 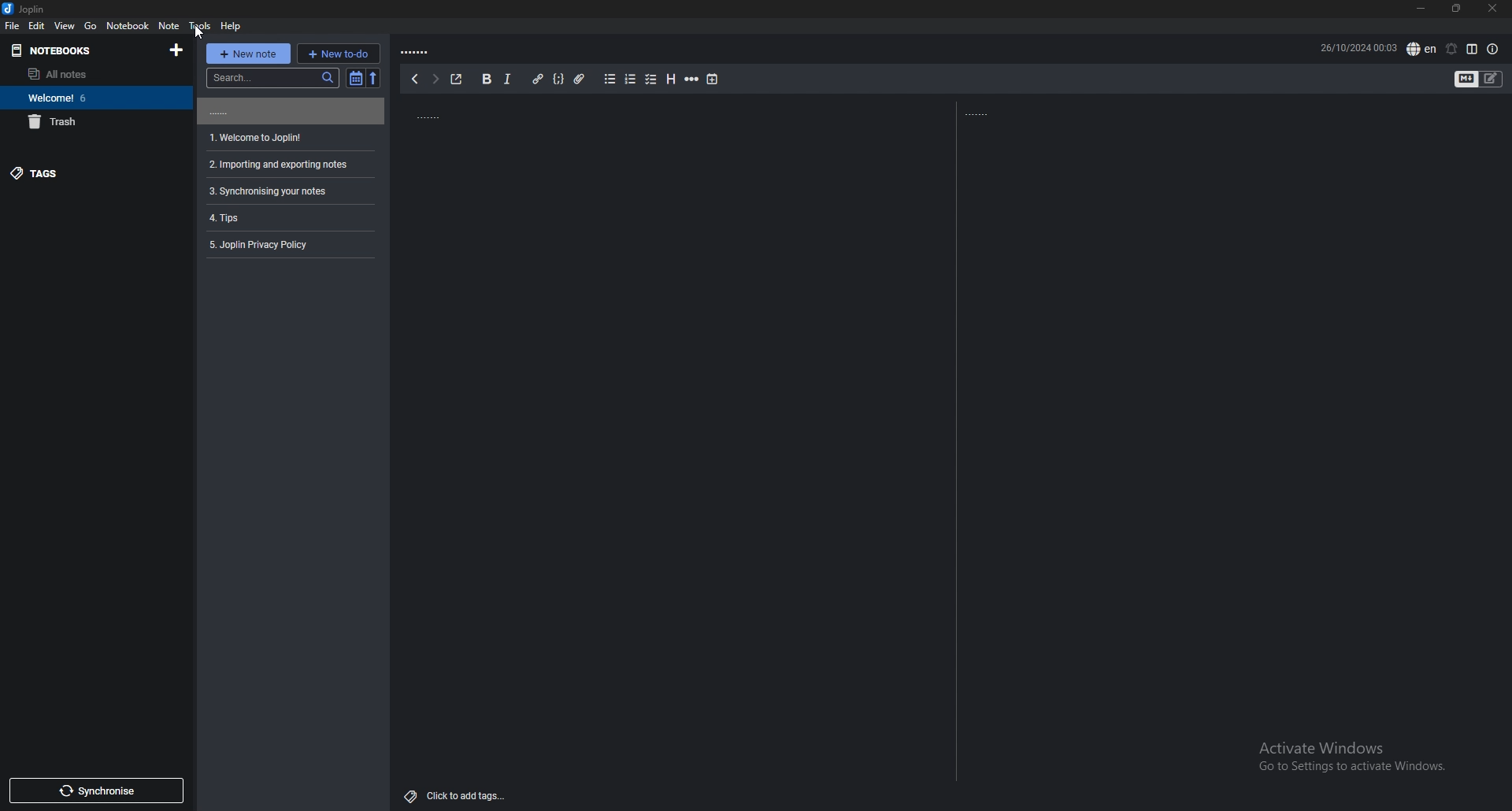 I want to click on toggle editors, so click(x=1466, y=79).